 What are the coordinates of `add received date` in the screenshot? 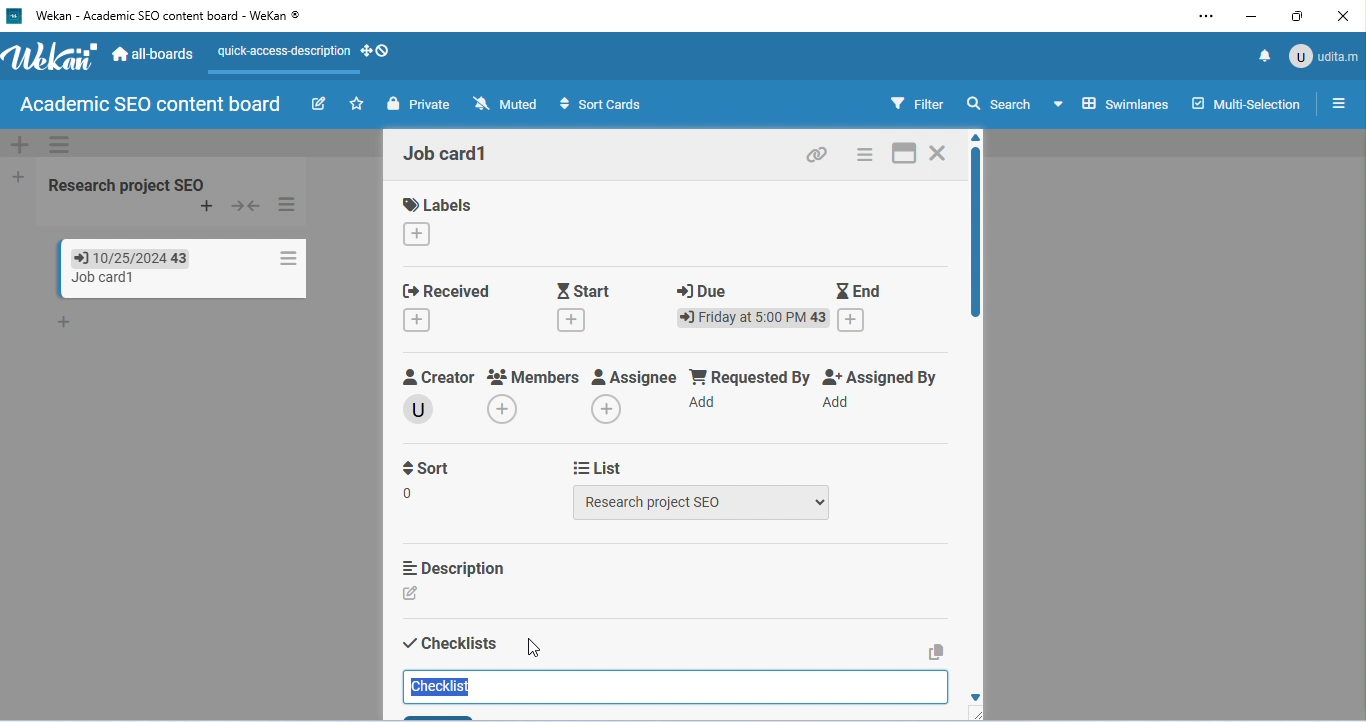 It's located at (418, 321).